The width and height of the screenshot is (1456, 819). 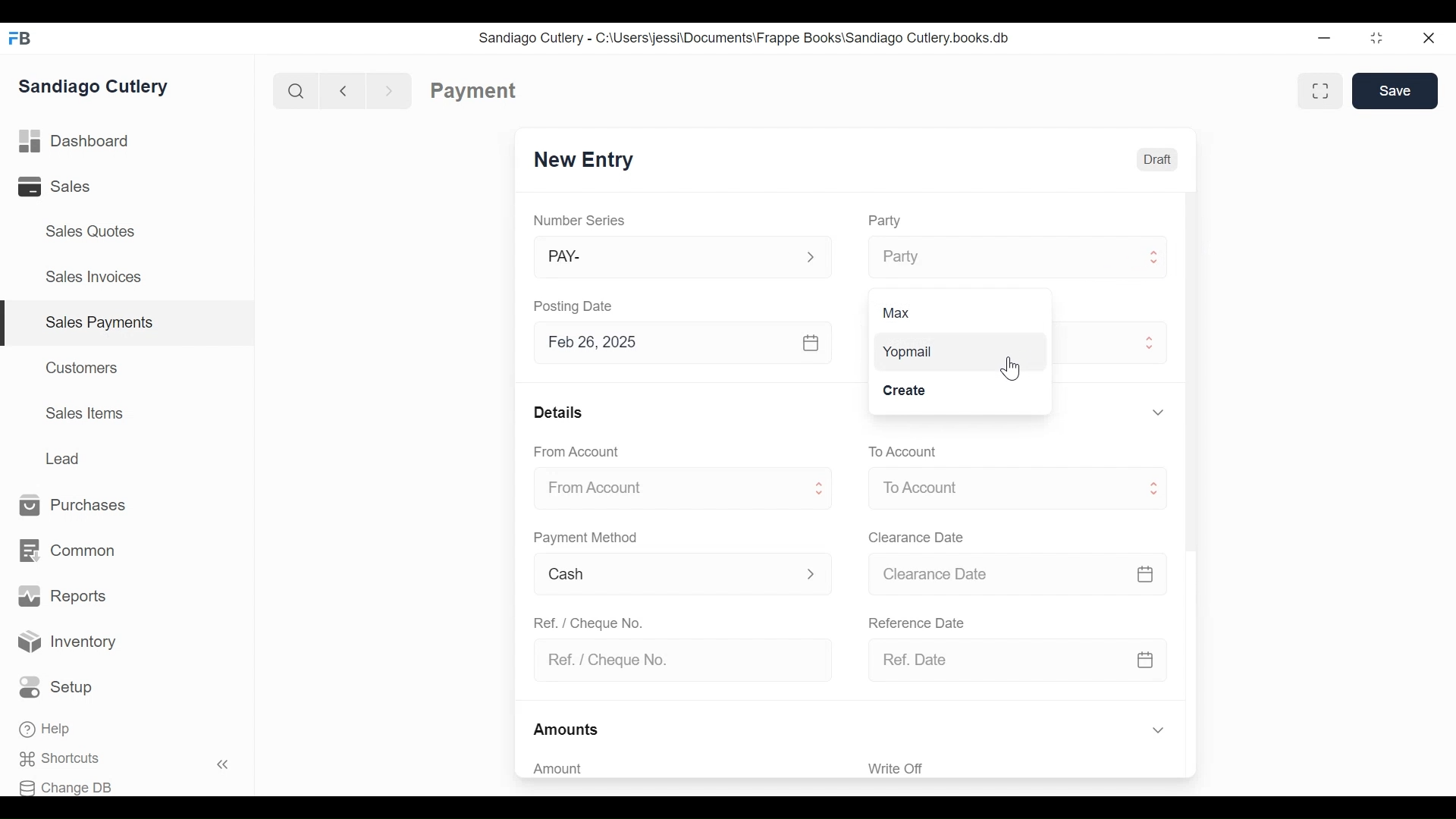 I want to click on Sandiago Cutlery - C:\Users\jessi\Documents\Frappe Books\Sandiago Cutlery.books.db, so click(x=744, y=37).